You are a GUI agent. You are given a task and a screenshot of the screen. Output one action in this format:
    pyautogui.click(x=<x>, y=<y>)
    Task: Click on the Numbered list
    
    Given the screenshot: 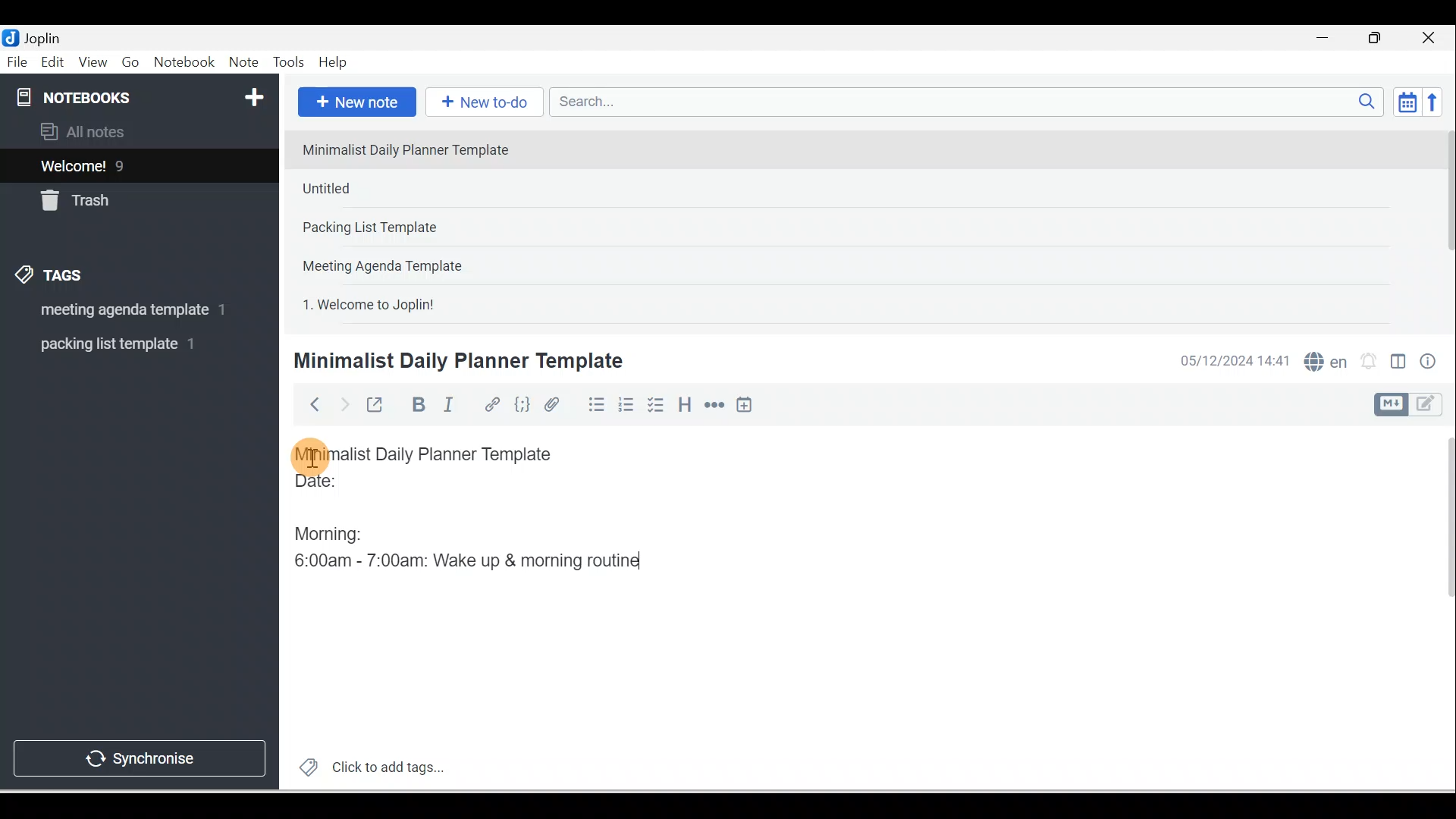 What is the action you would take?
    pyautogui.click(x=626, y=404)
    